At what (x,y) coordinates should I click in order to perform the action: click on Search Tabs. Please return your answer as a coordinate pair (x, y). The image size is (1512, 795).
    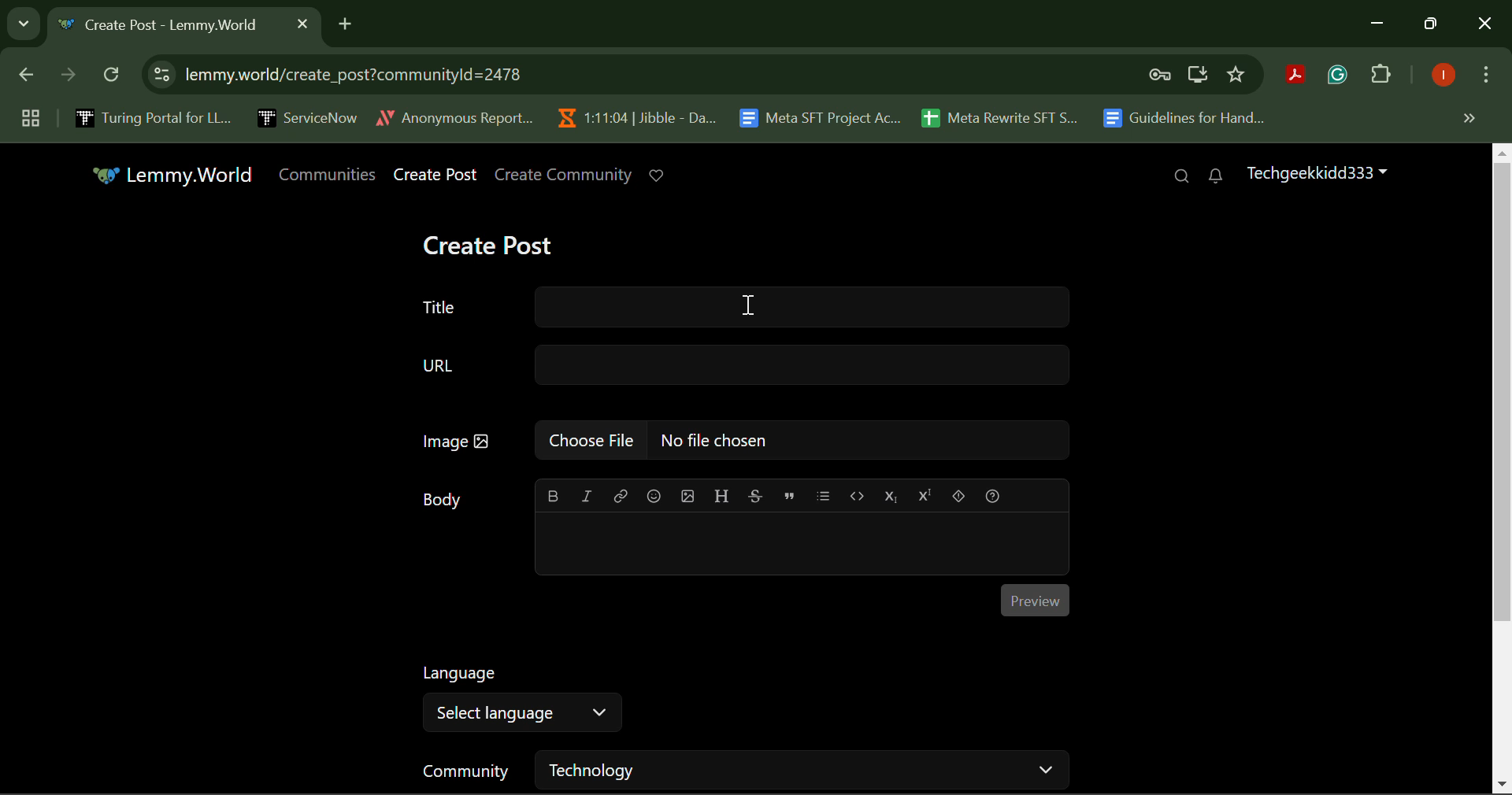
    Looking at the image, I should click on (20, 21).